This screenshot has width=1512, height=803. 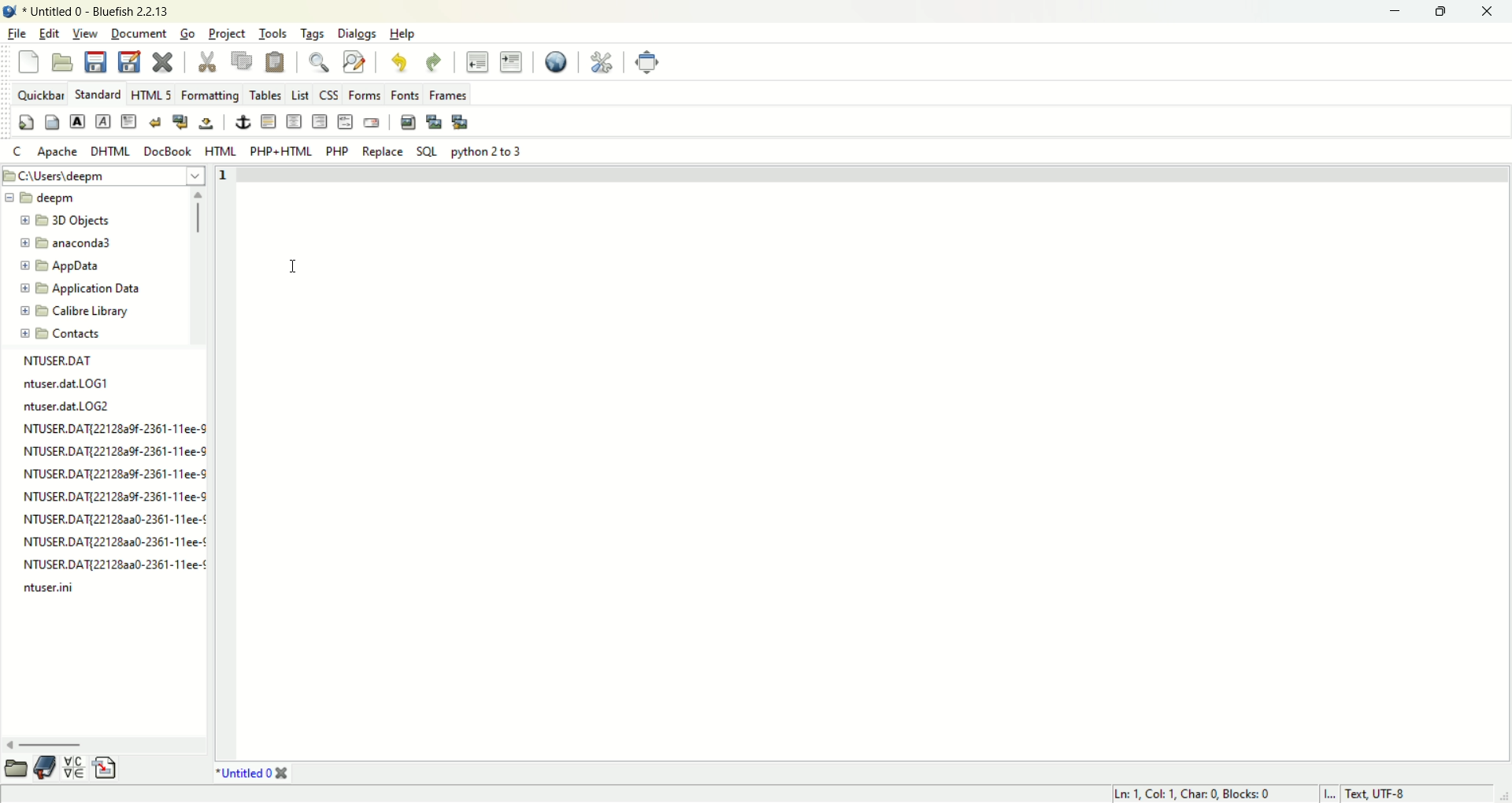 What do you see at coordinates (208, 63) in the screenshot?
I see `cut` at bounding box center [208, 63].